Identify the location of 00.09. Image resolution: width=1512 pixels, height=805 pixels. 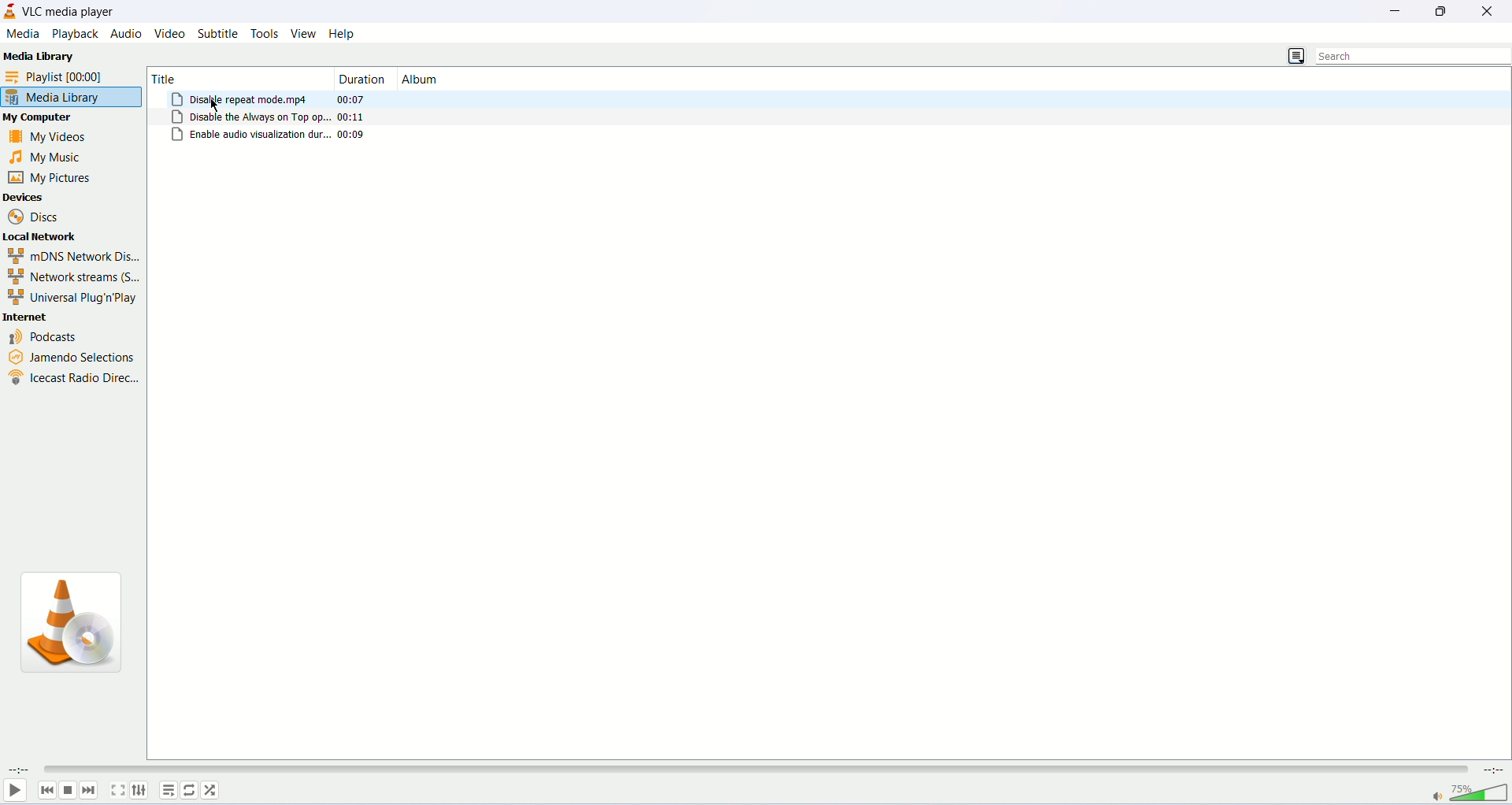
(353, 134).